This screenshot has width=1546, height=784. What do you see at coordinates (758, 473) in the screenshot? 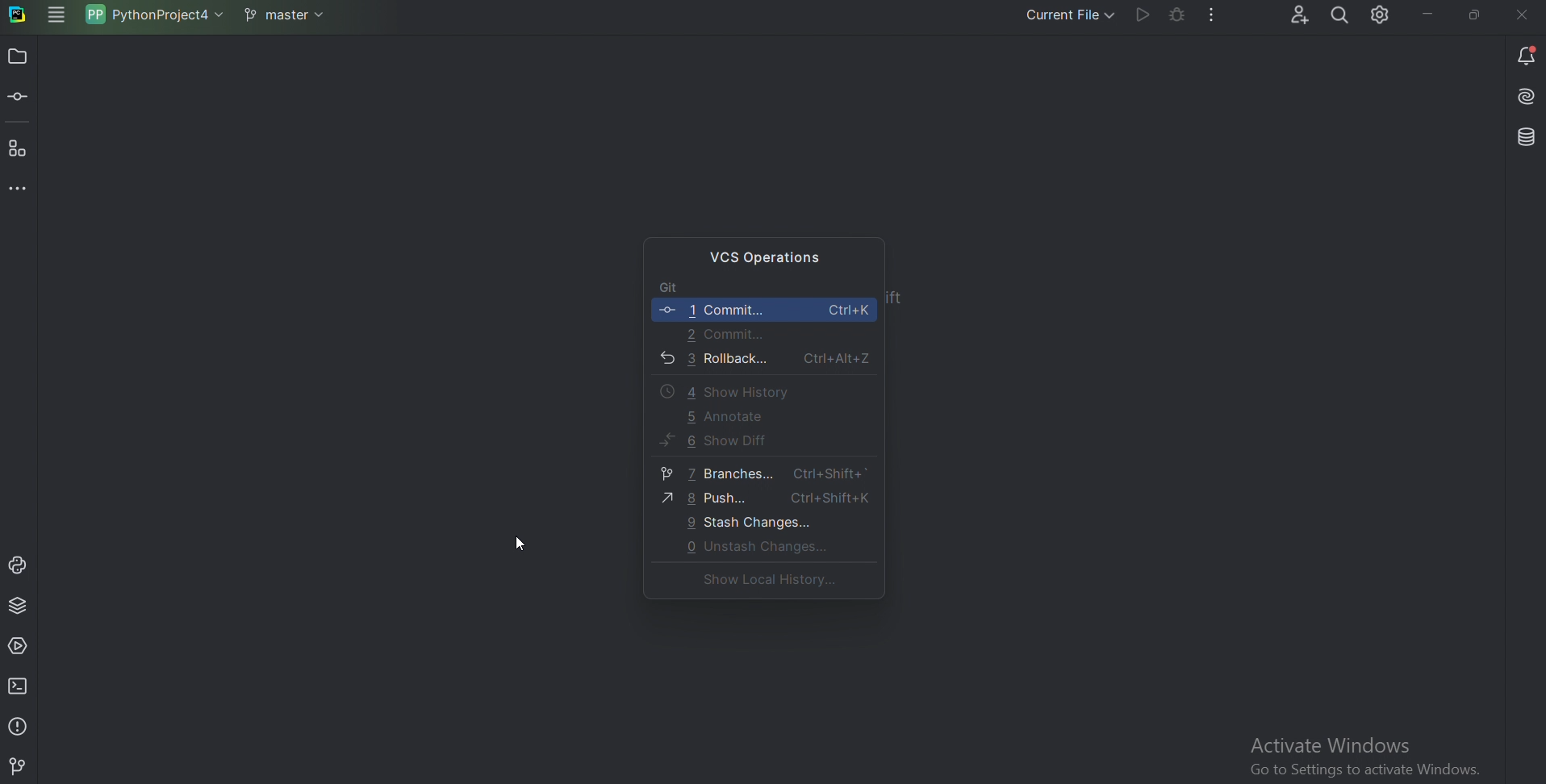
I see `Branches` at bounding box center [758, 473].